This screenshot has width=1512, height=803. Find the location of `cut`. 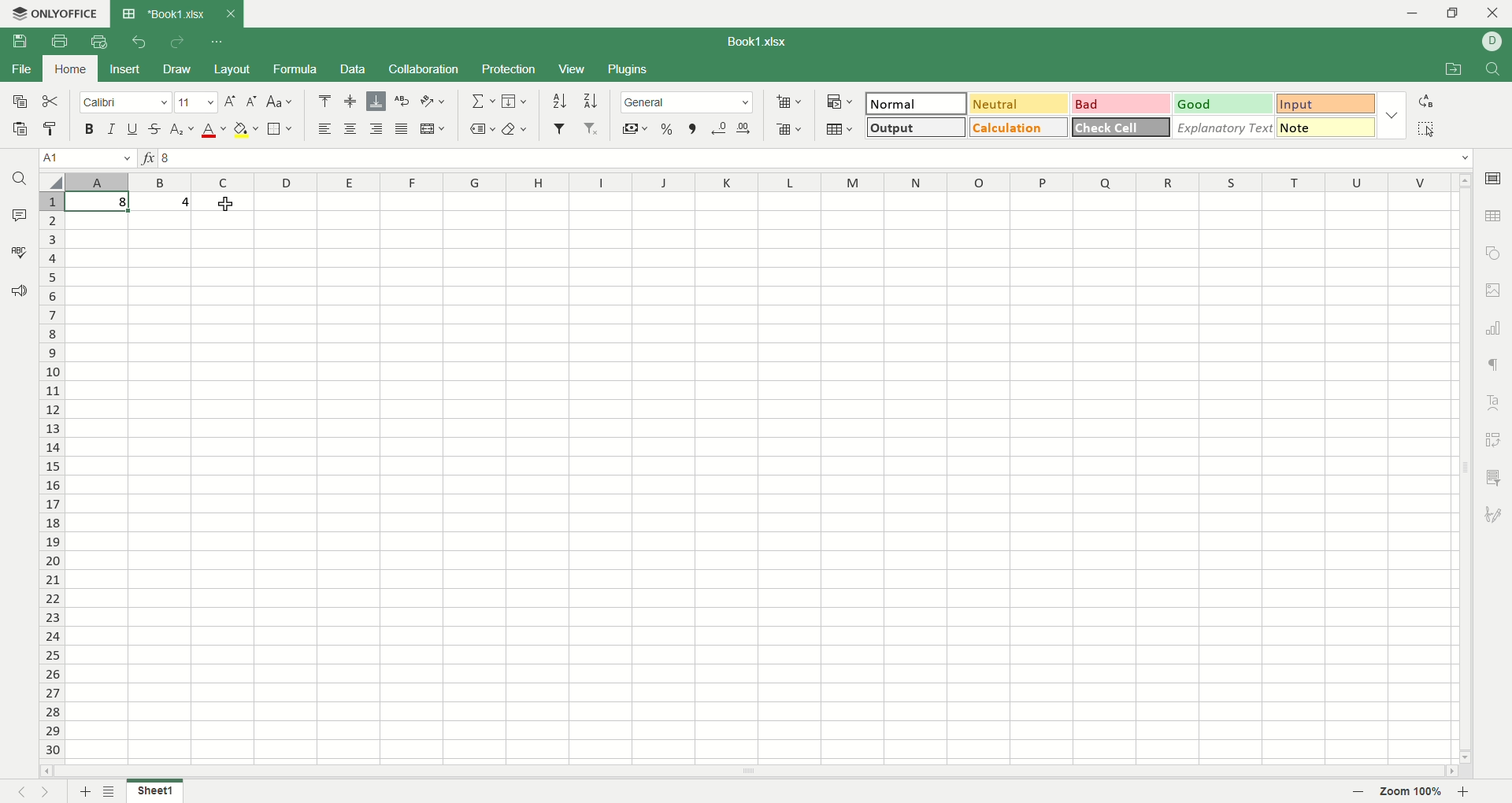

cut is located at coordinates (51, 102).